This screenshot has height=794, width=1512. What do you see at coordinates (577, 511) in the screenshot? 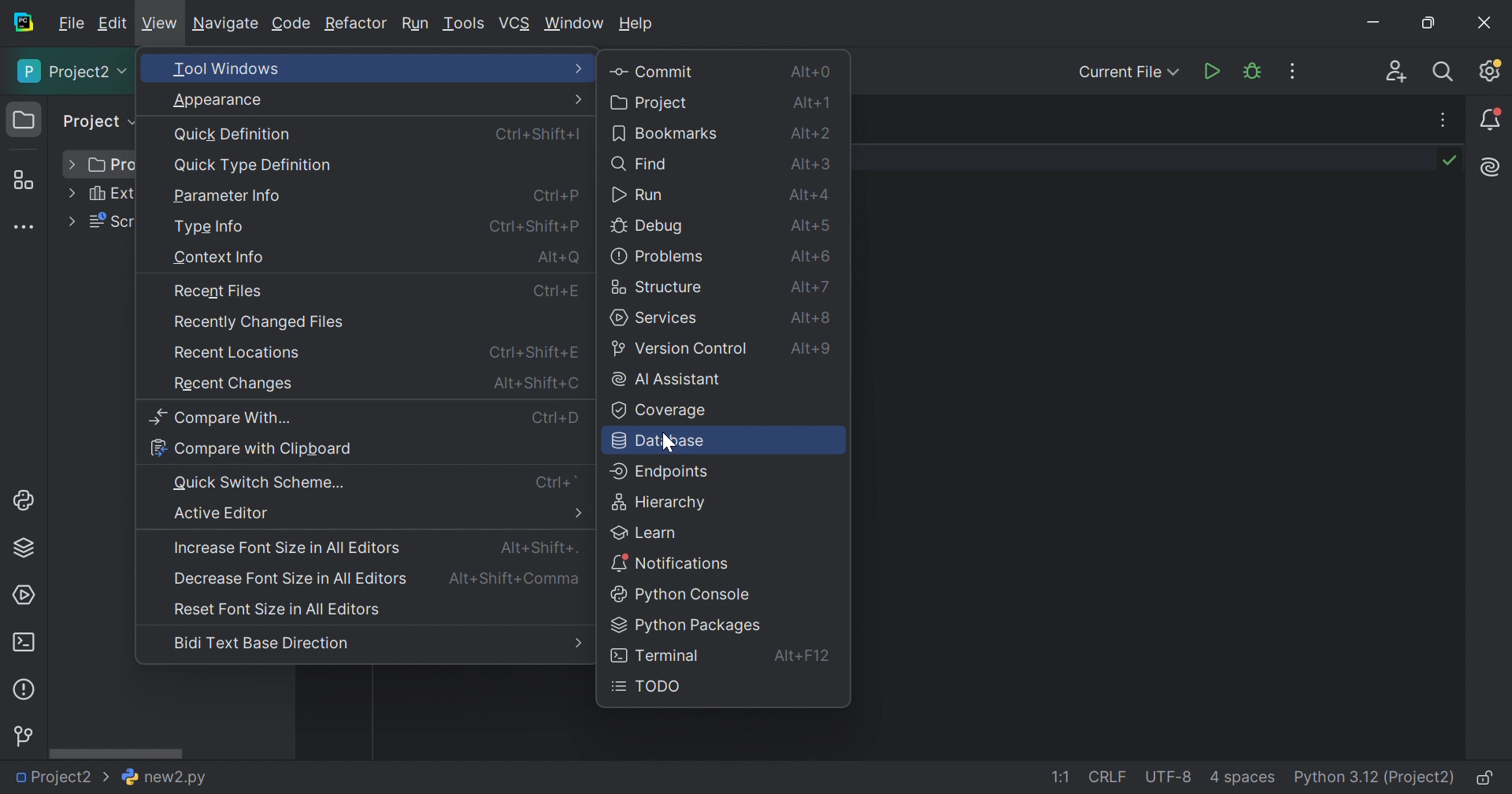
I see `More` at bounding box center [577, 511].